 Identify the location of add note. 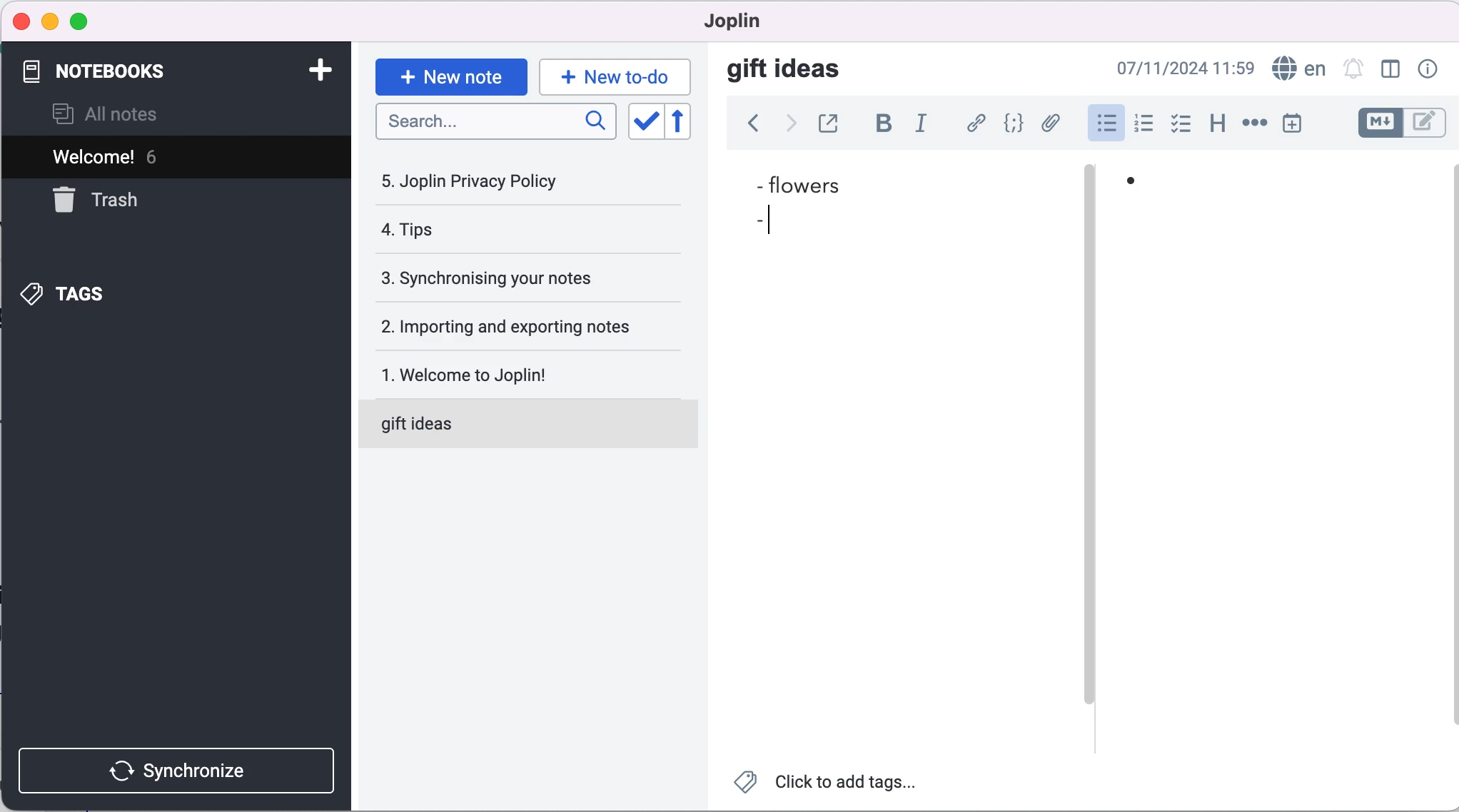
(313, 69).